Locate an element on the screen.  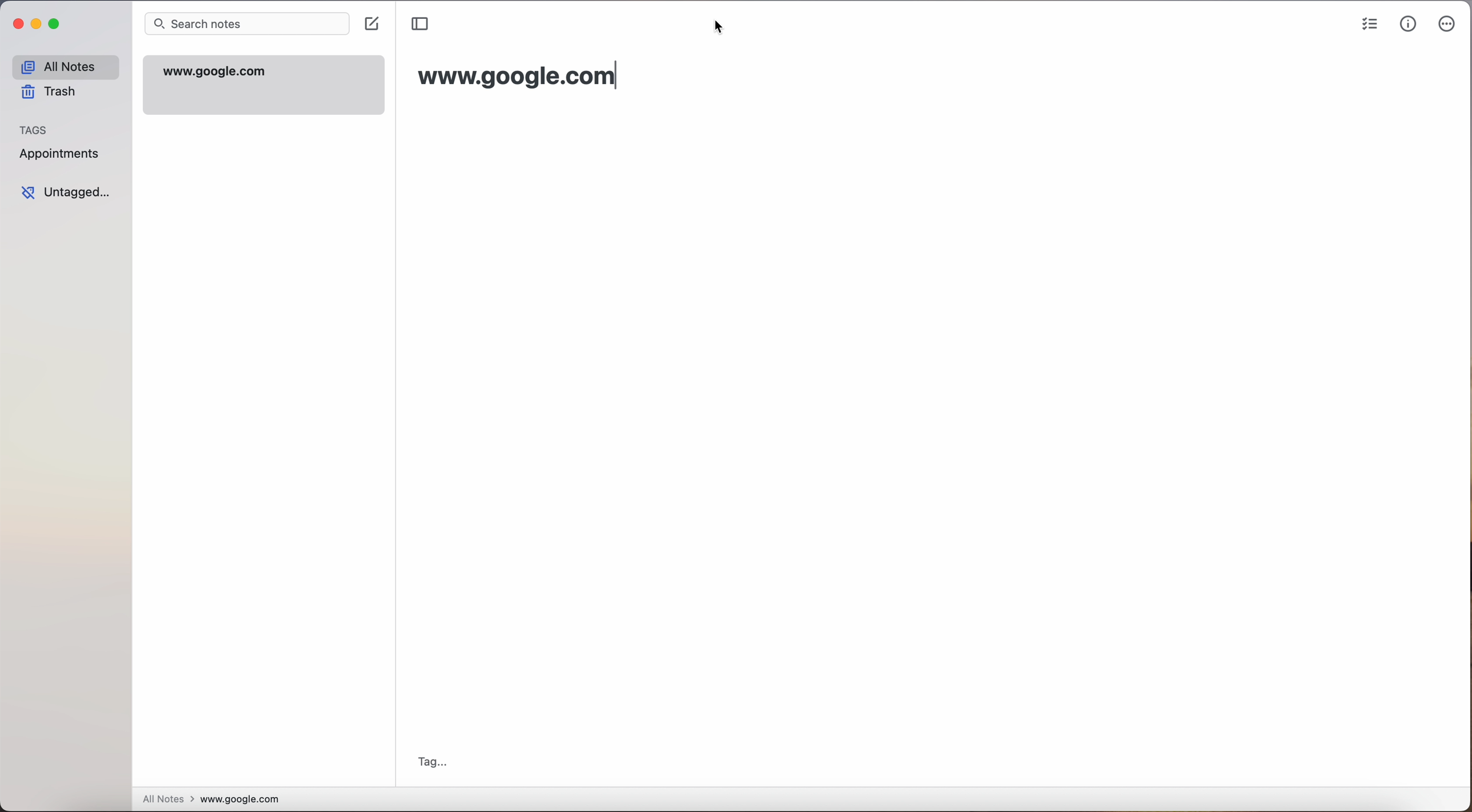
toggle sidebar is located at coordinates (419, 25).